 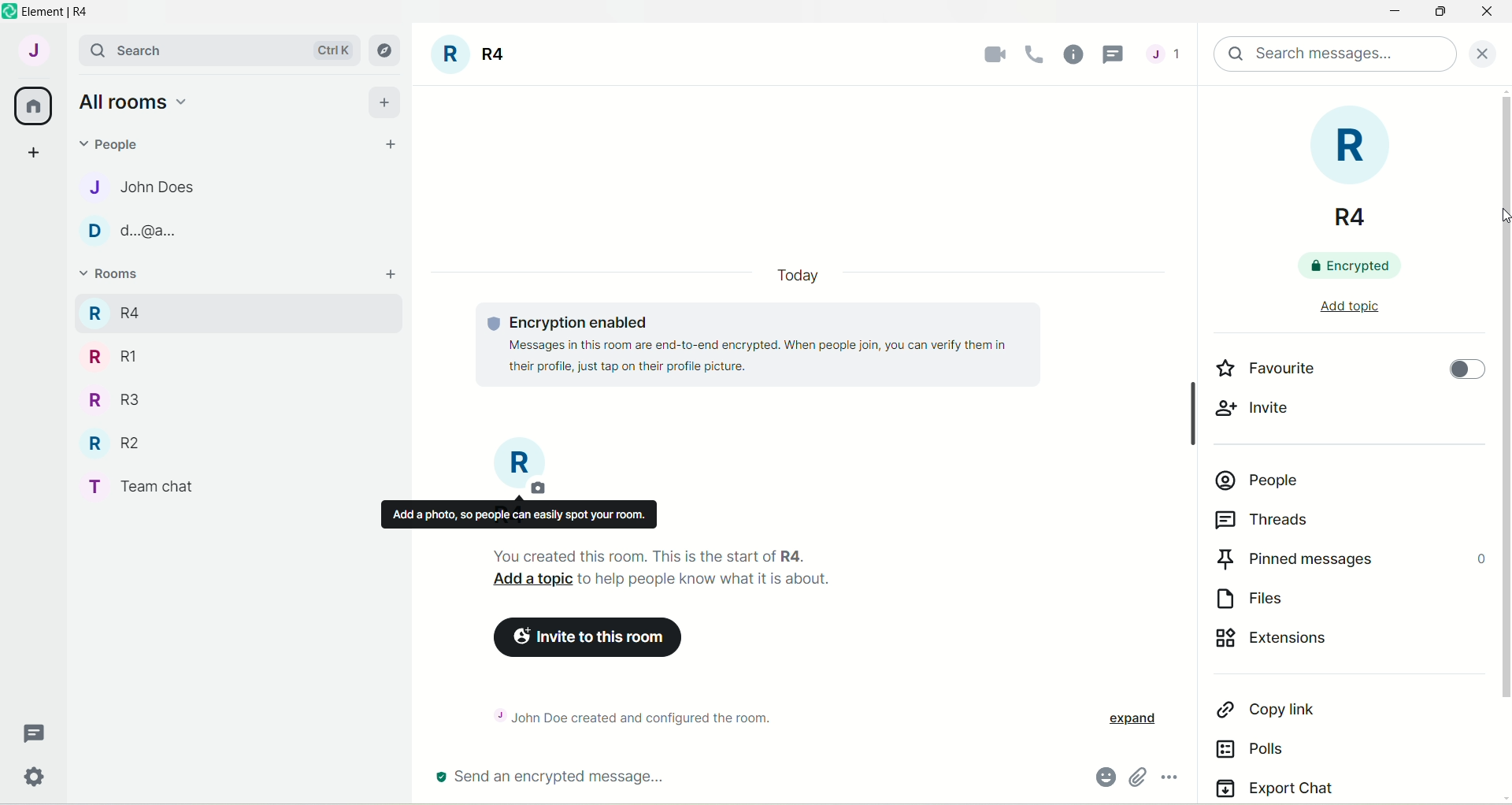 I want to click on video call, so click(x=991, y=54).